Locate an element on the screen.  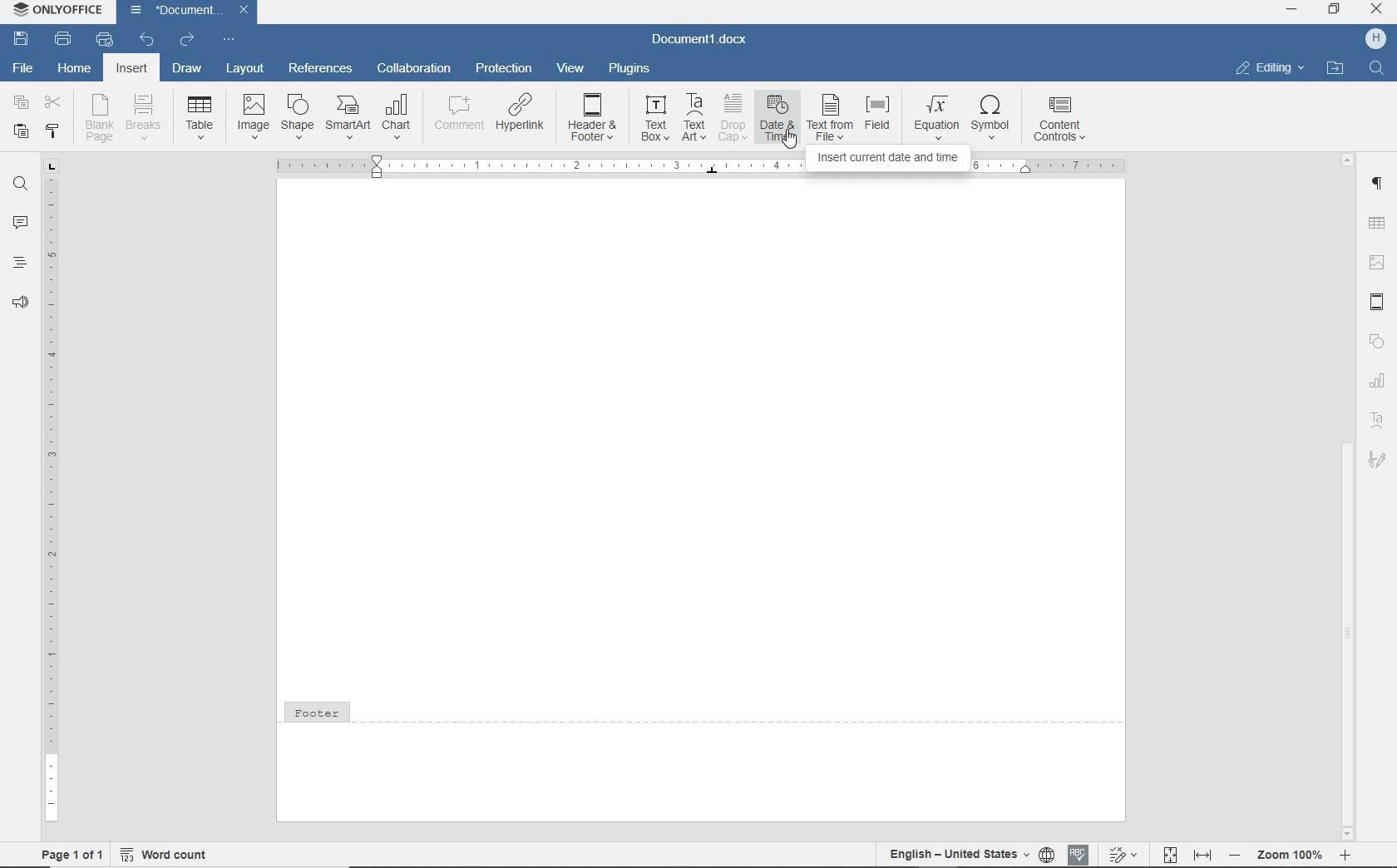
insert current date and time is located at coordinates (701, 167).